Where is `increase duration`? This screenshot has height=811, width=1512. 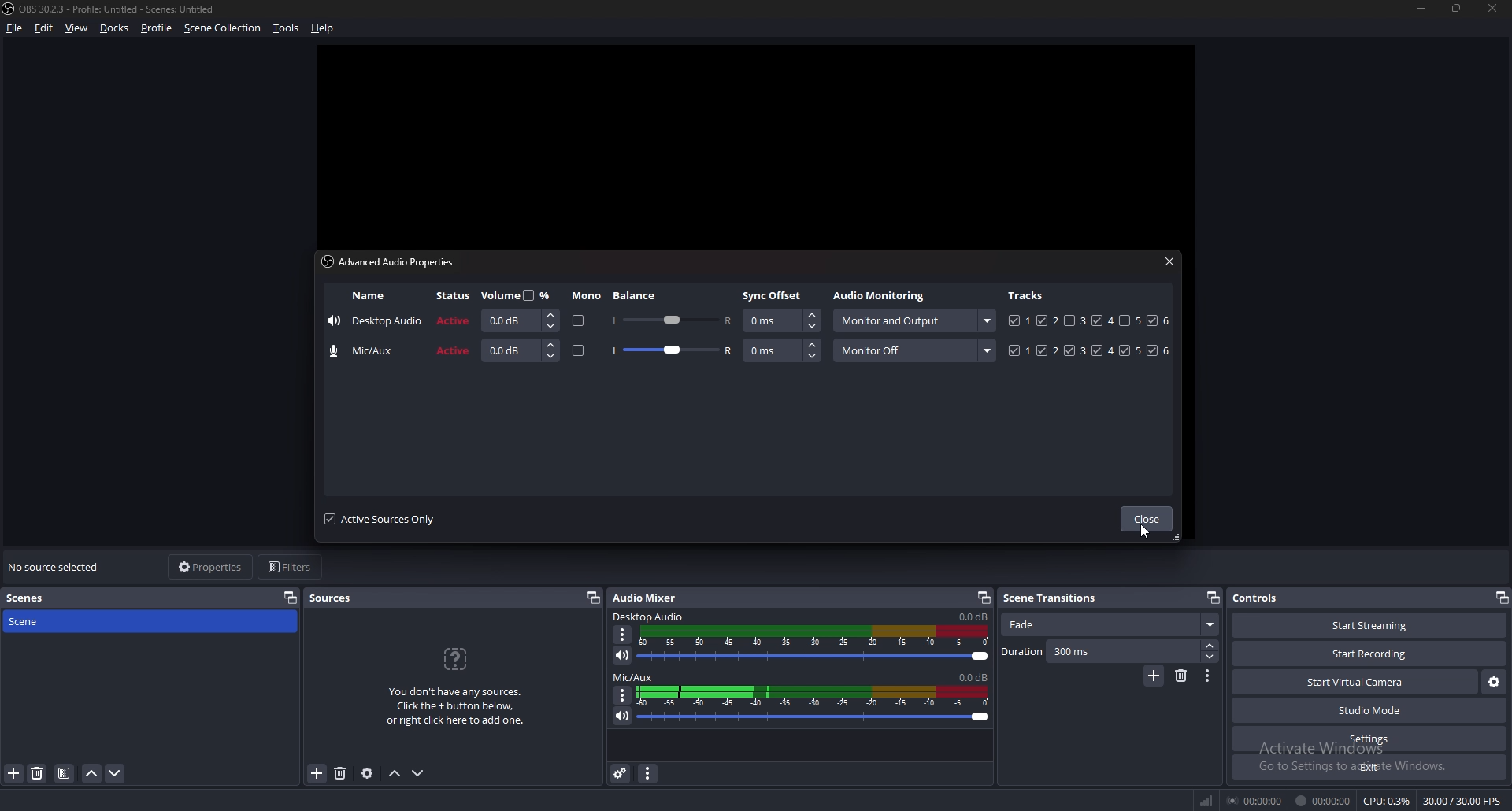 increase duration is located at coordinates (1210, 645).